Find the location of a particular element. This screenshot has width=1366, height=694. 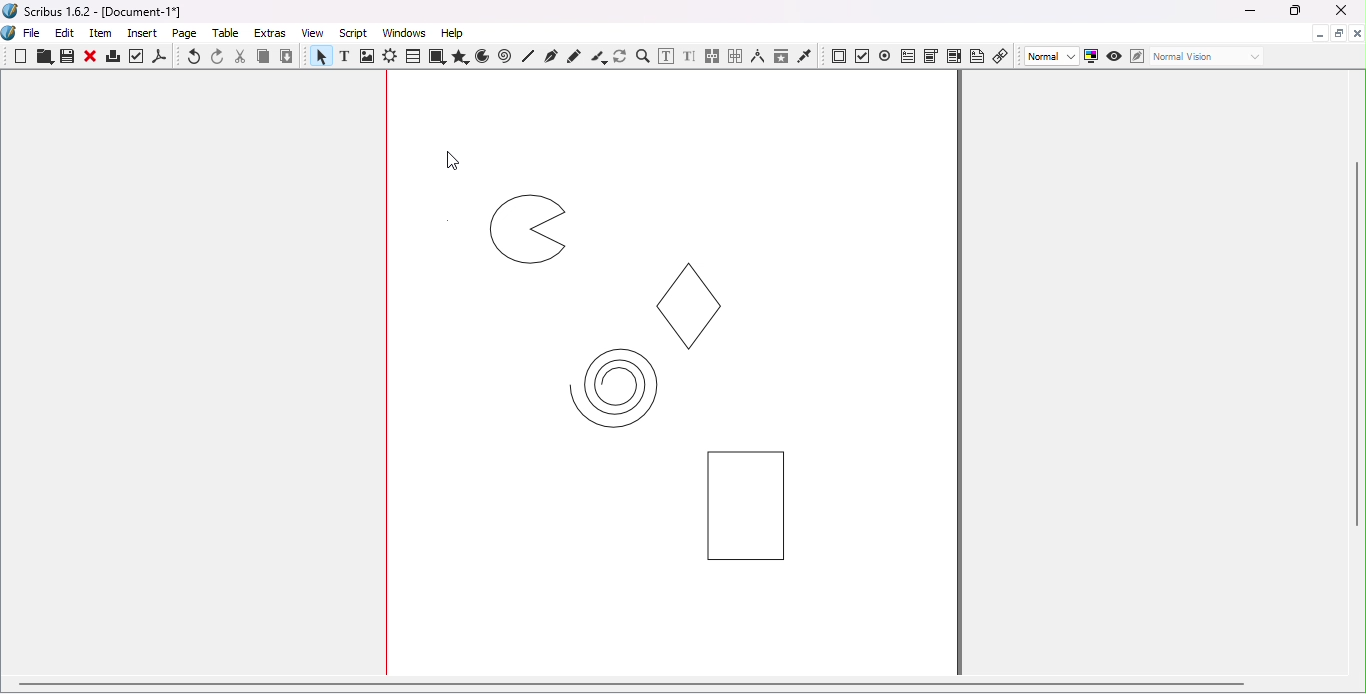

Item is located at coordinates (102, 34).